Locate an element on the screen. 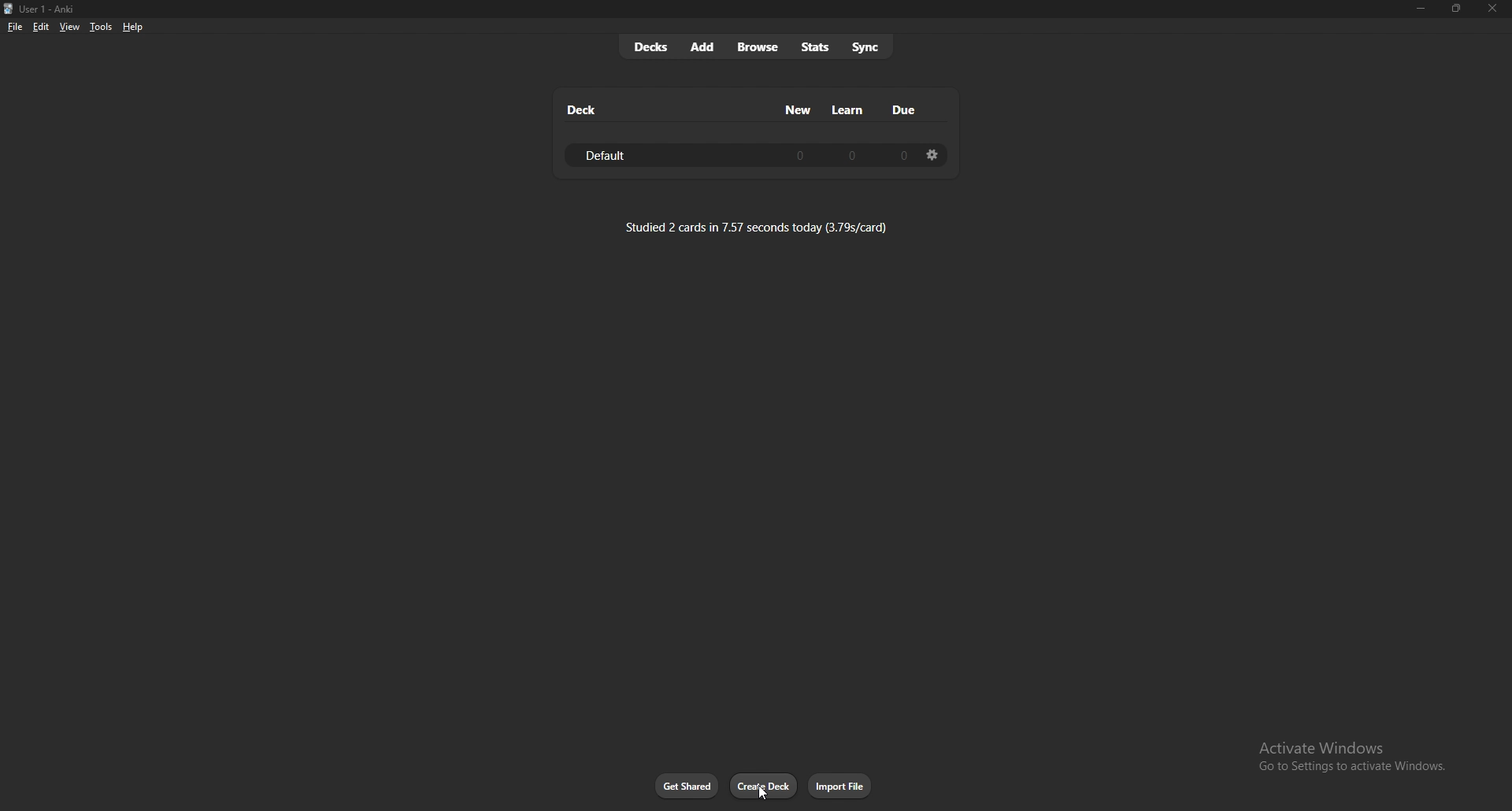 The width and height of the screenshot is (1512, 811). default is located at coordinates (613, 156).